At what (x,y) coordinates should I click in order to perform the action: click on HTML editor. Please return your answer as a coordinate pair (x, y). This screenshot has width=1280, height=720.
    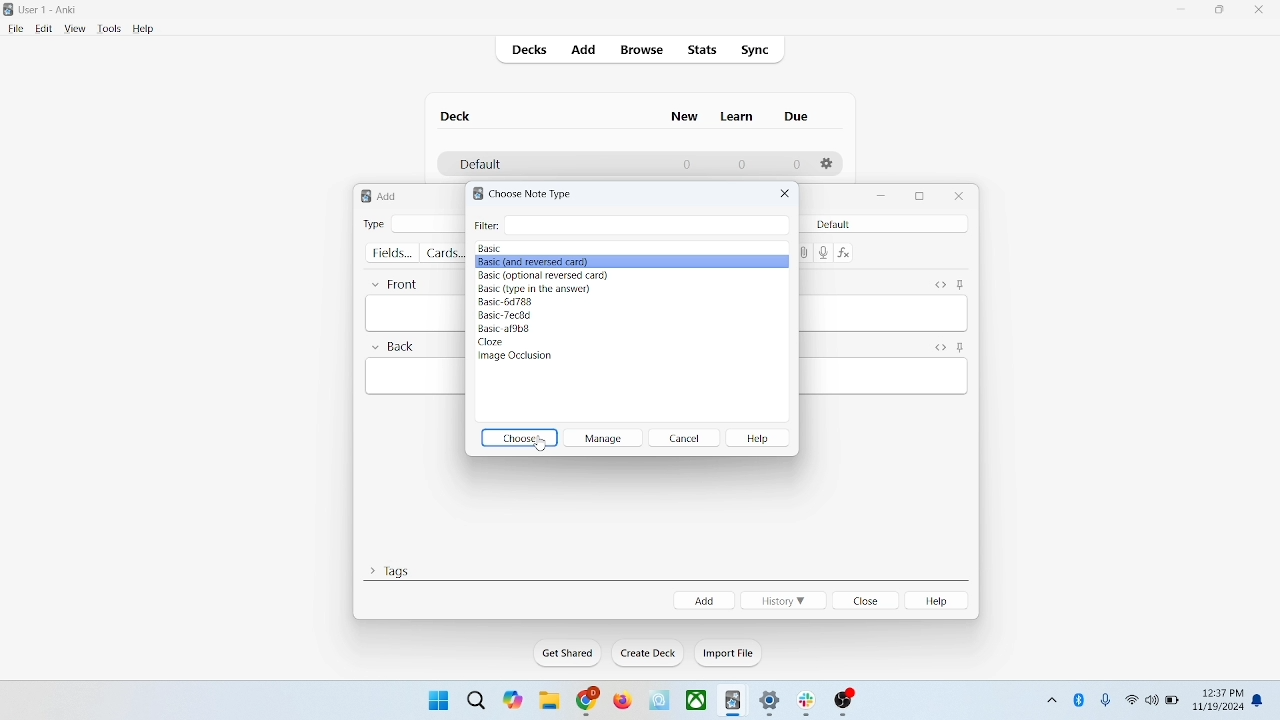
    Looking at the image, I should click on (939, 284).